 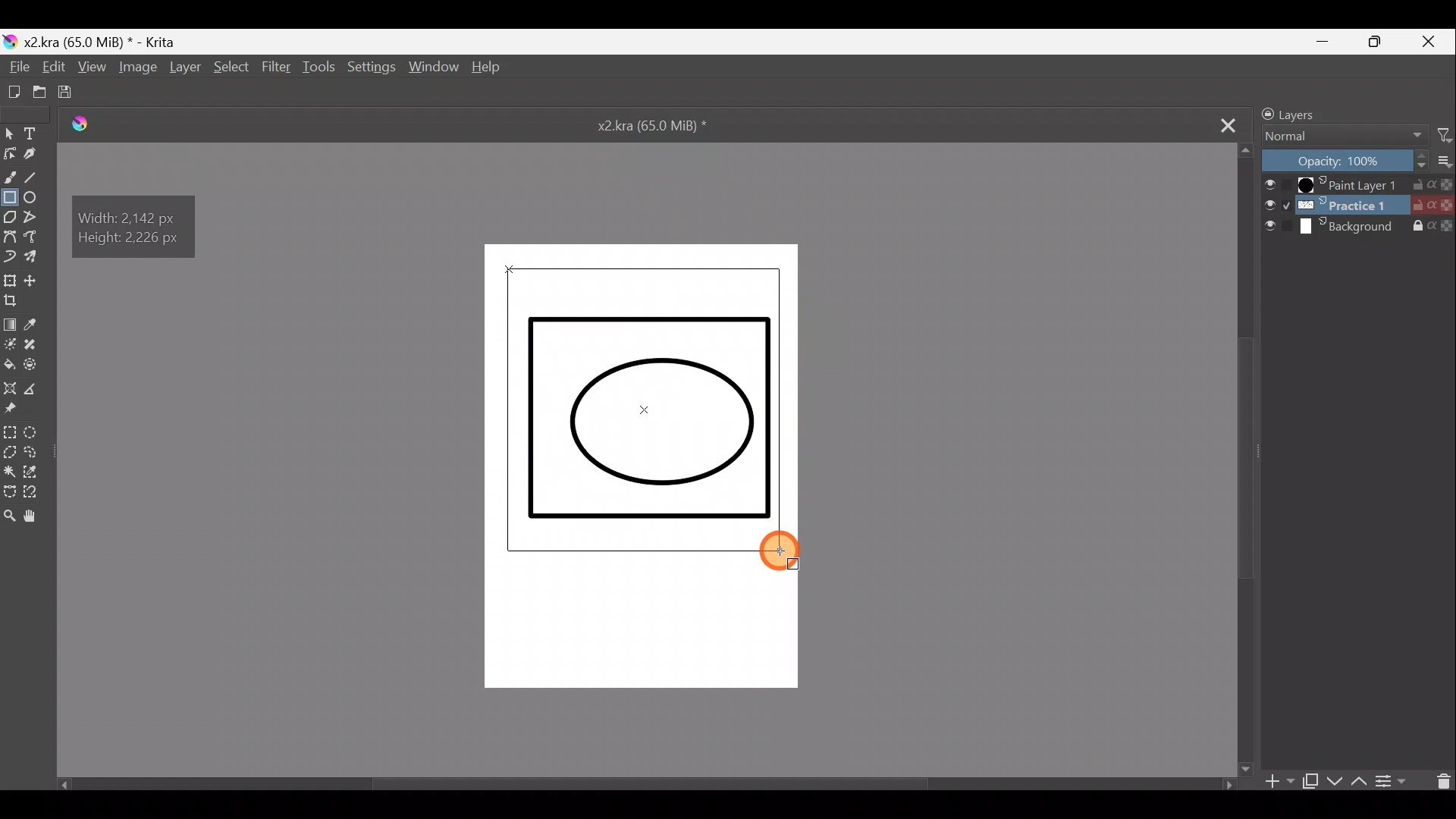 I want to click on Bezier curve tool, so click(x=10, y=235).